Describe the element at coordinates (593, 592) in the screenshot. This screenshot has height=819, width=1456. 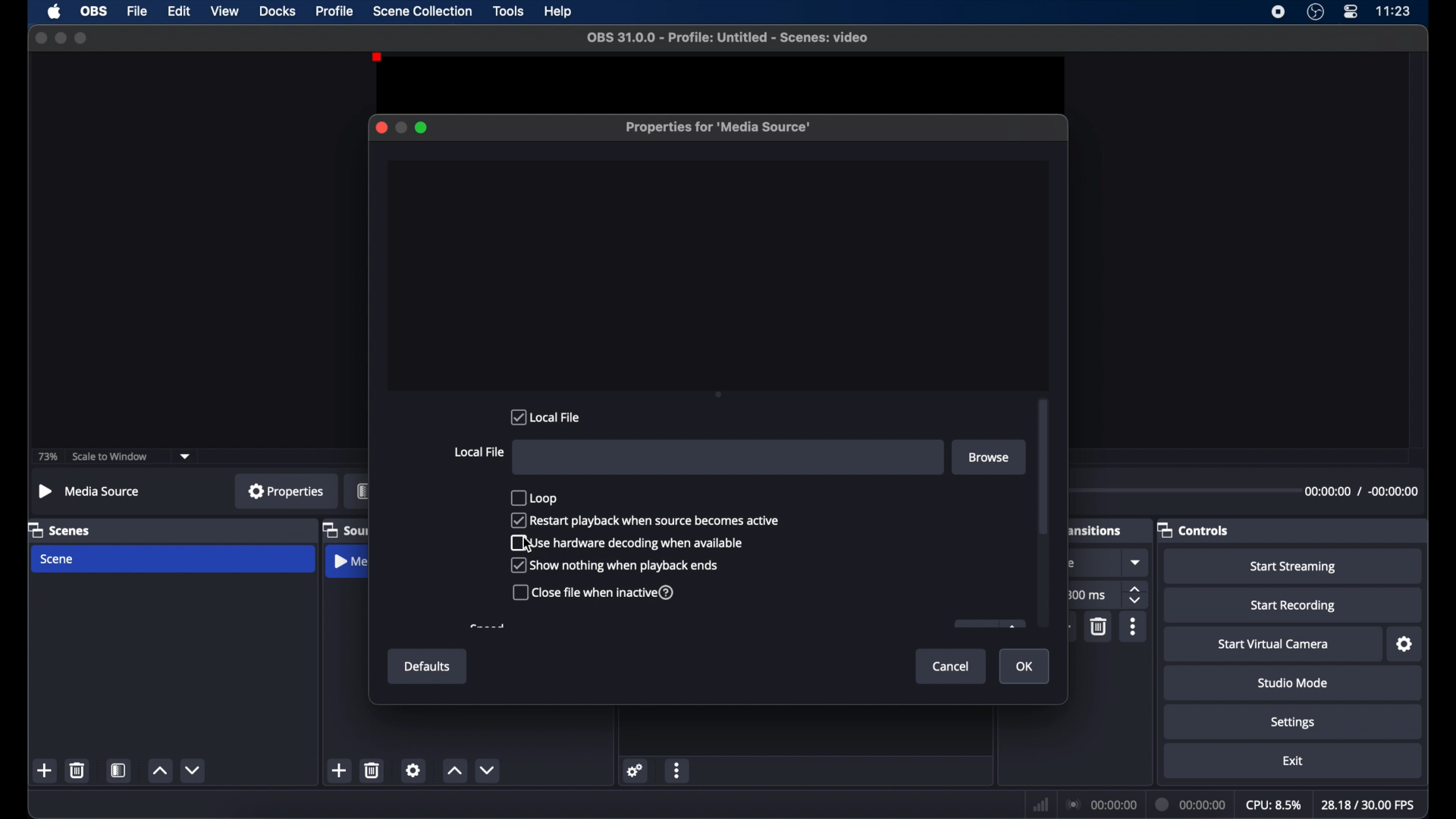
I see `close file when inactive` at that location.